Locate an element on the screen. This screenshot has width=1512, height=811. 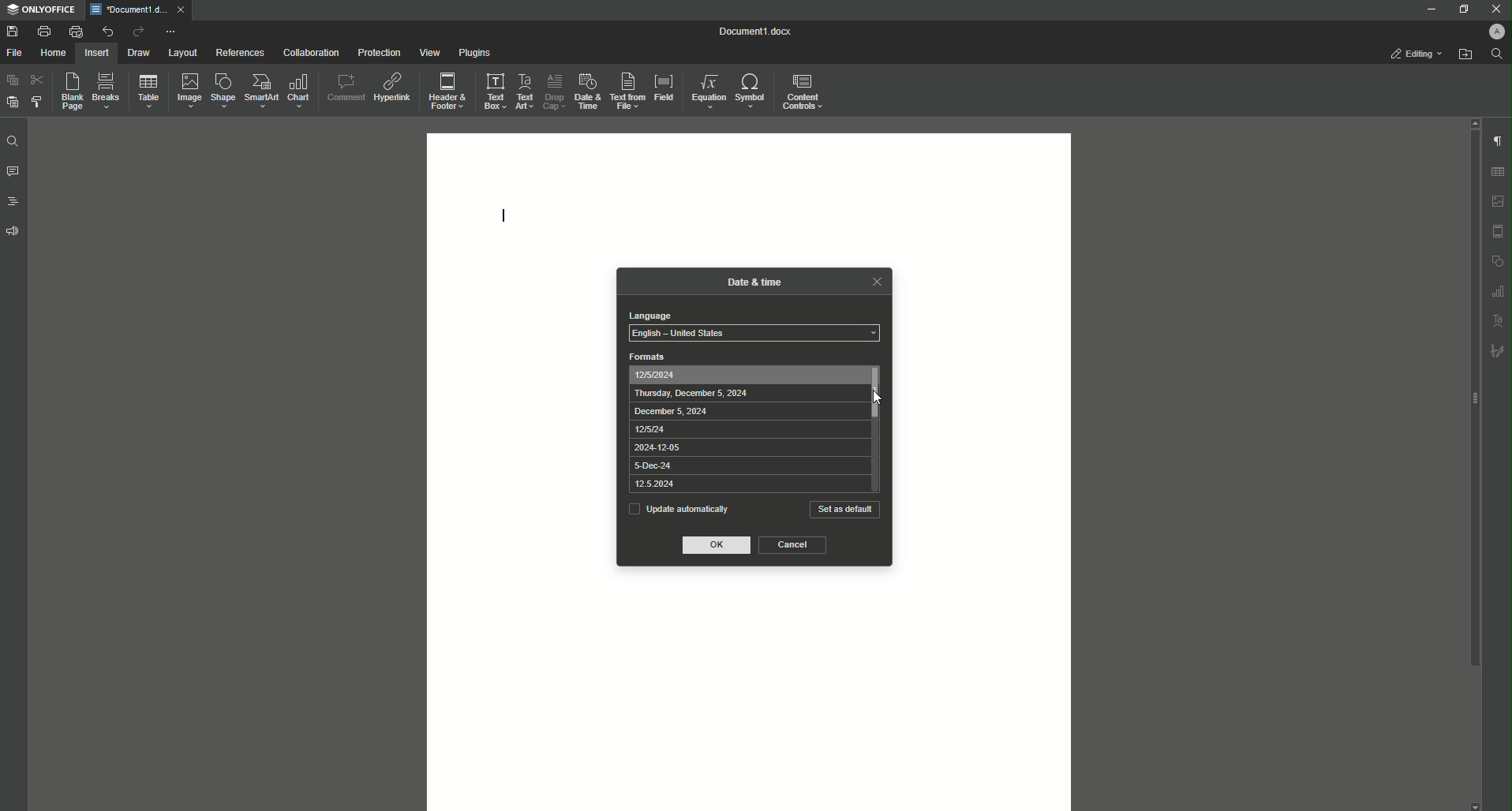
Shape is located at coordinates (220, 91).